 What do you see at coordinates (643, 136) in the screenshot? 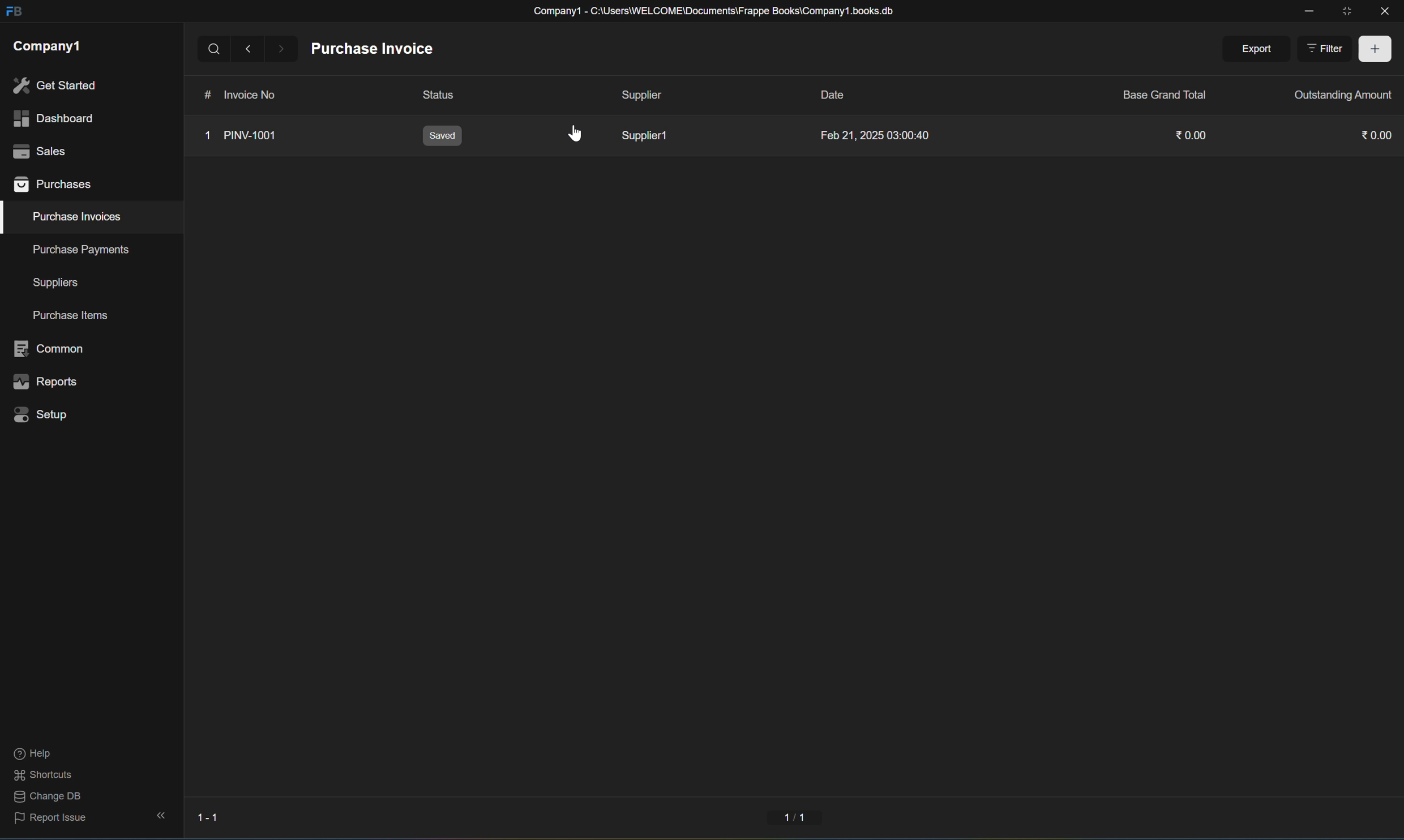
I see `supplier1` at bounding box center [643, 136].